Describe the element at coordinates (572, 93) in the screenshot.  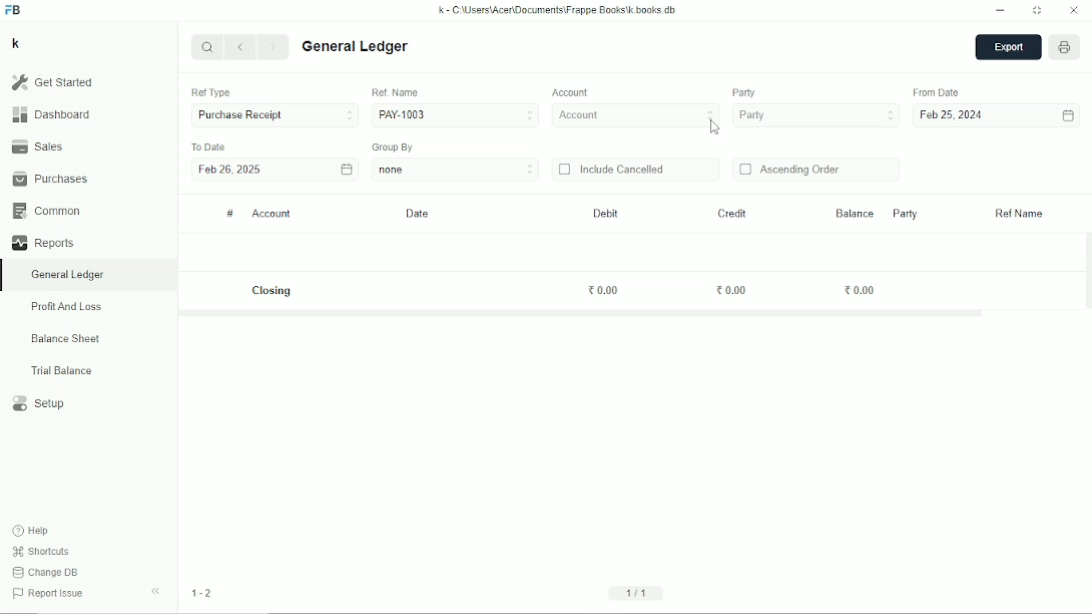
I see `Account` at that location.